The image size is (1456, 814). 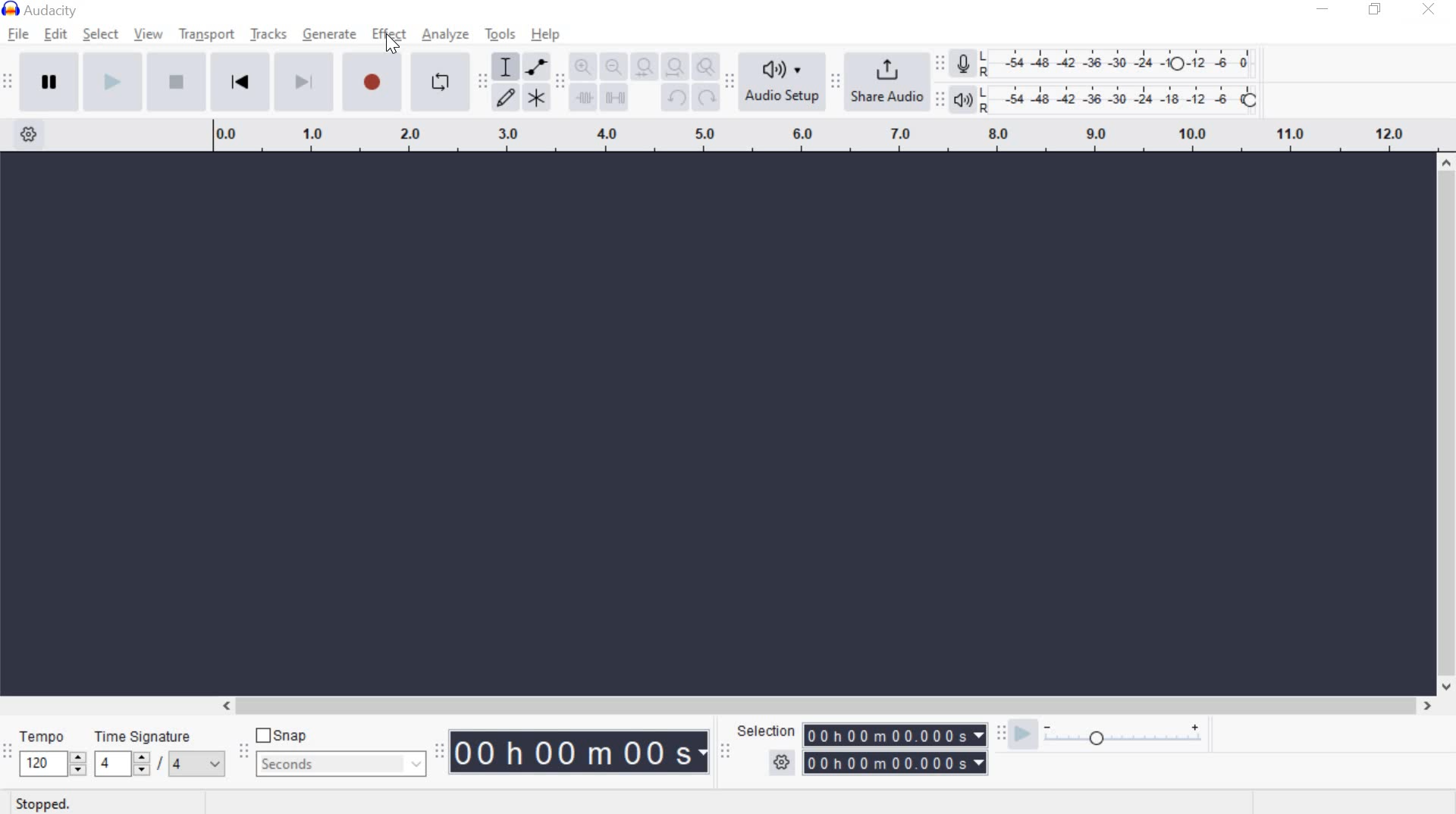 What do you see at coordinates (174, 84) in the screenshot?
I see `Stop` at bounding box center [174, 84].